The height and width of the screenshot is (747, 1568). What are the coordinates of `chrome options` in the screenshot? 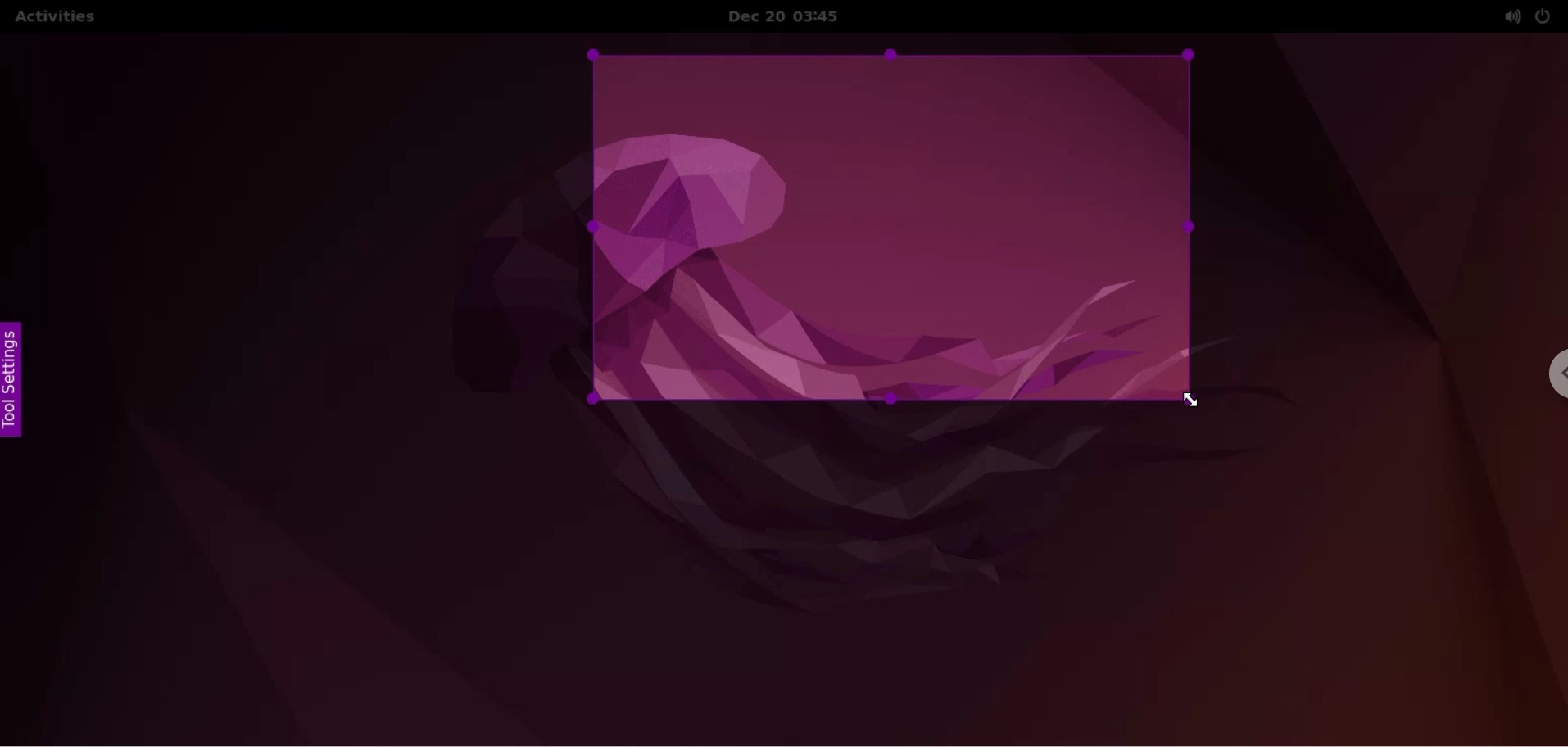 It's located at (1548, 378).